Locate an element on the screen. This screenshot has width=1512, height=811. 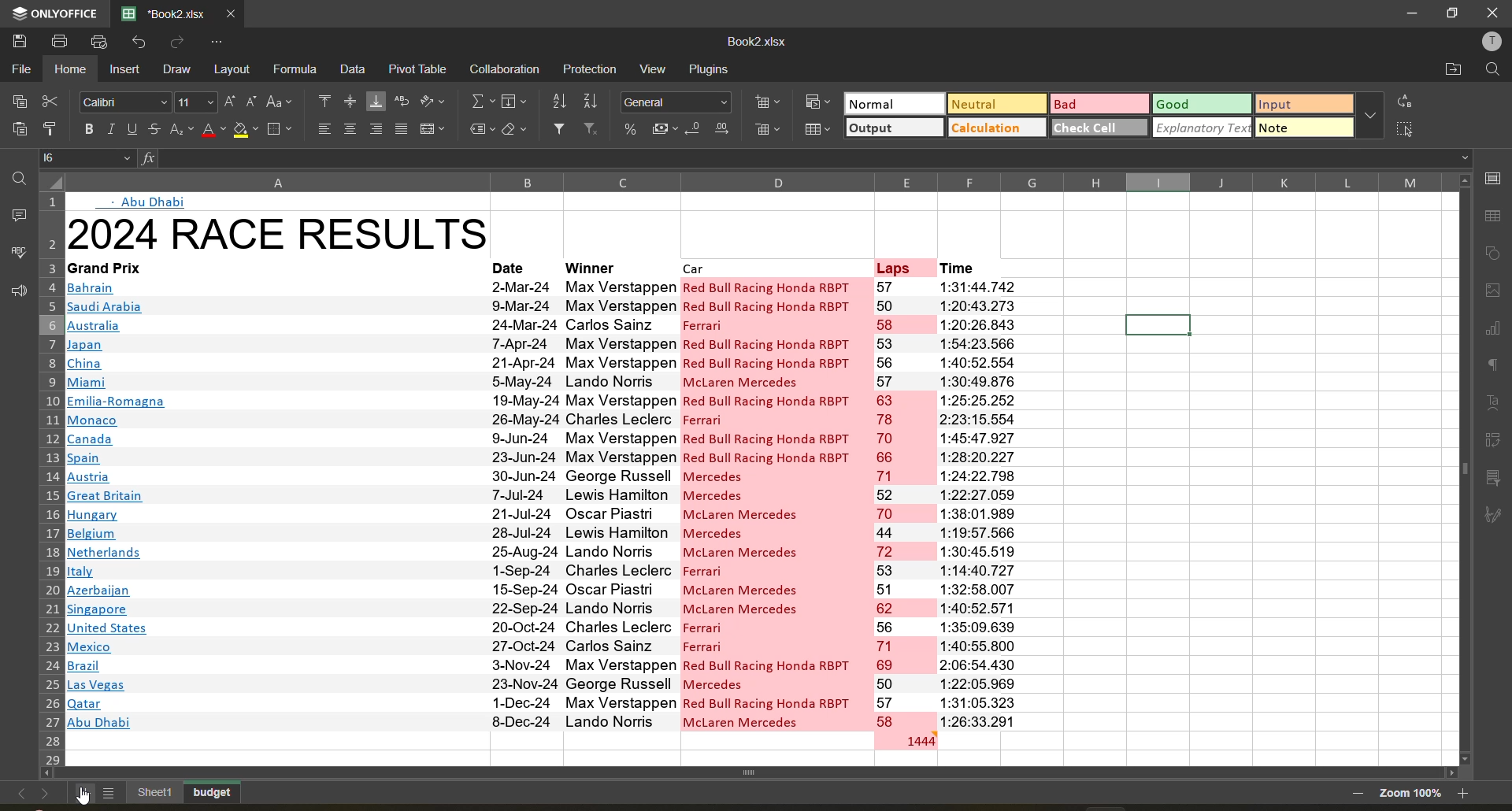
date is located at coordinates (521, 505).